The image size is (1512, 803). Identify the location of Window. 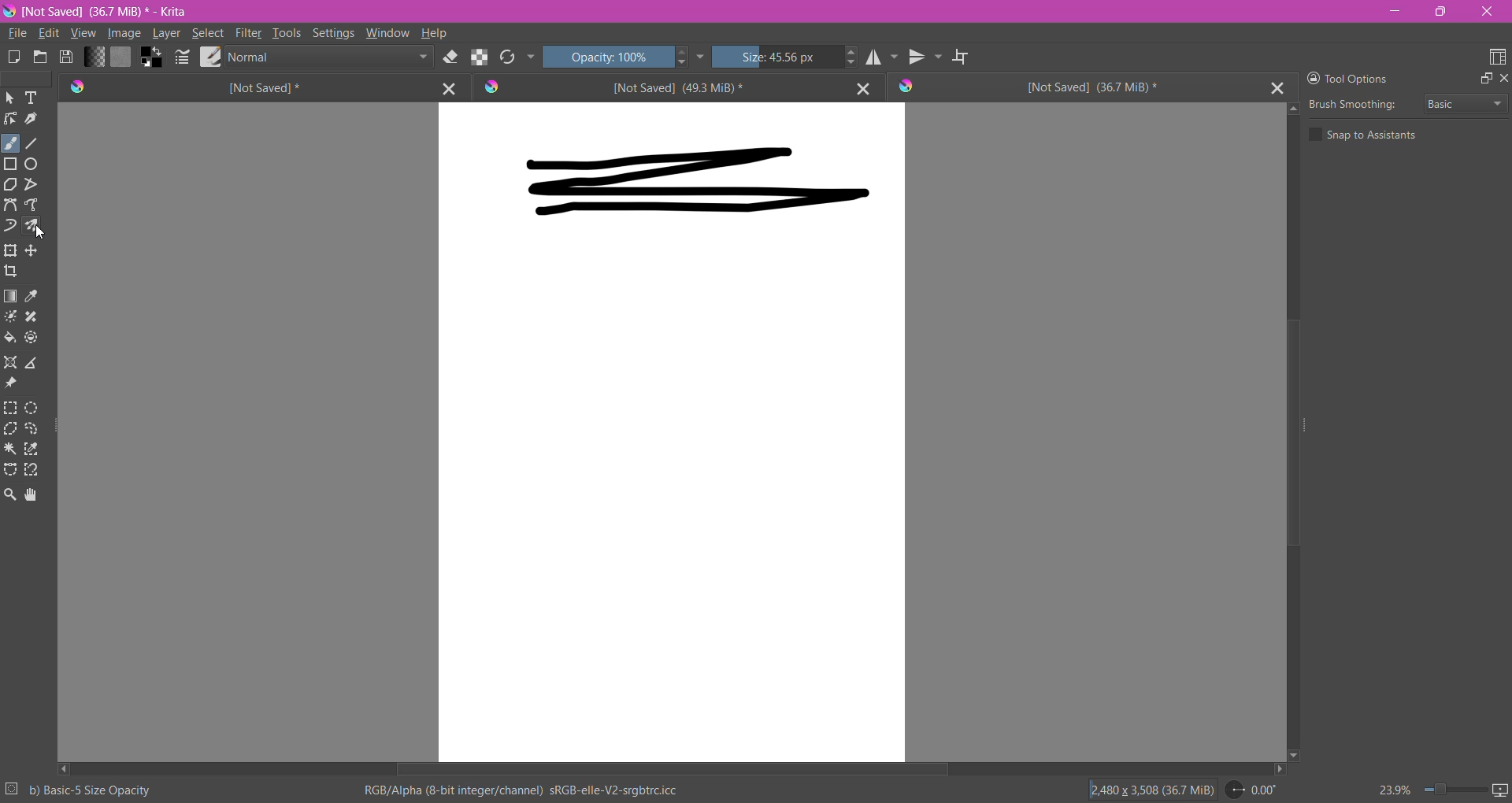
(388, 32).